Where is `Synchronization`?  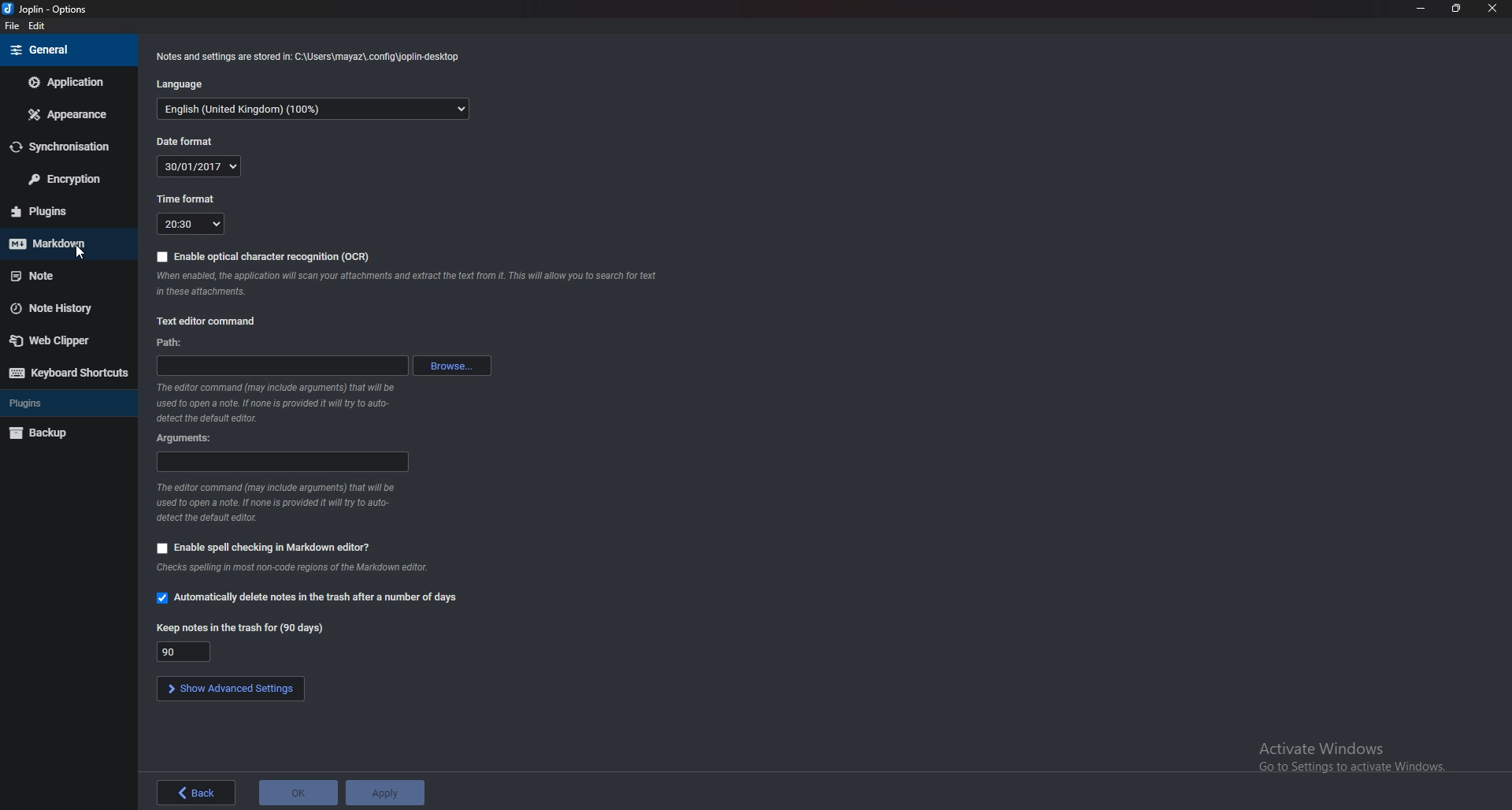
Synchronization is located at coordinates (62, 147).